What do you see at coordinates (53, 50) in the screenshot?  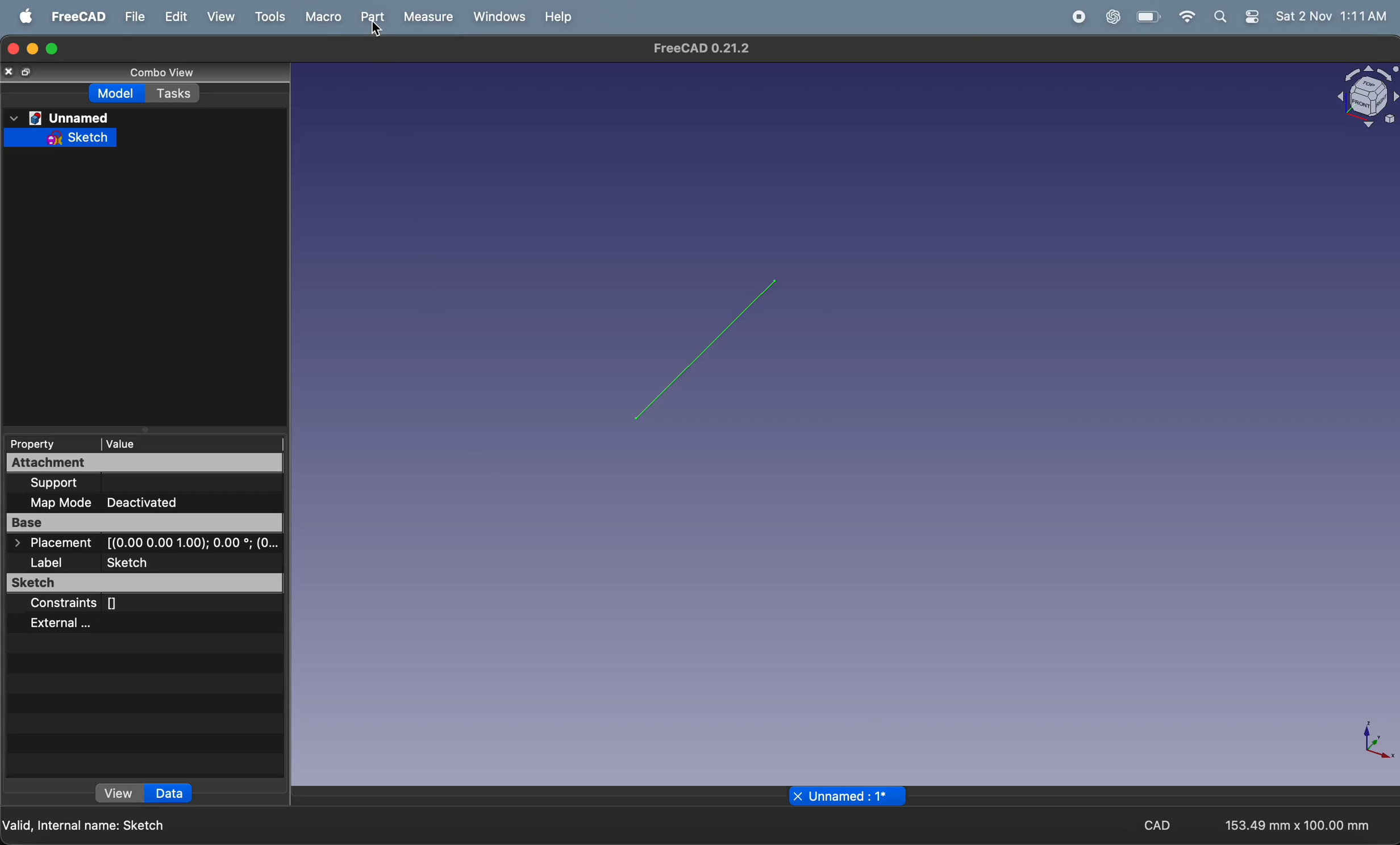 I see `maximize` at bounding box center [53, 50].